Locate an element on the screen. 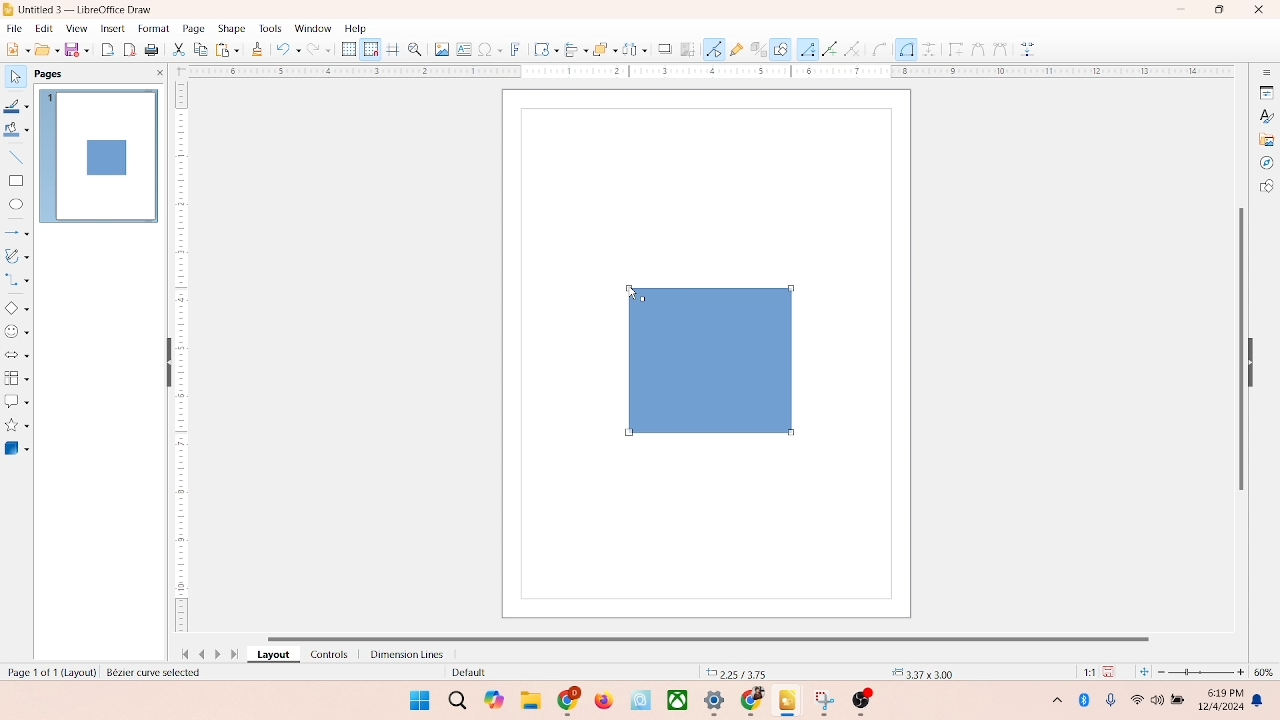 This screenshot has height=720, width=1280. 3D shape is located at coordinates (17, 448).